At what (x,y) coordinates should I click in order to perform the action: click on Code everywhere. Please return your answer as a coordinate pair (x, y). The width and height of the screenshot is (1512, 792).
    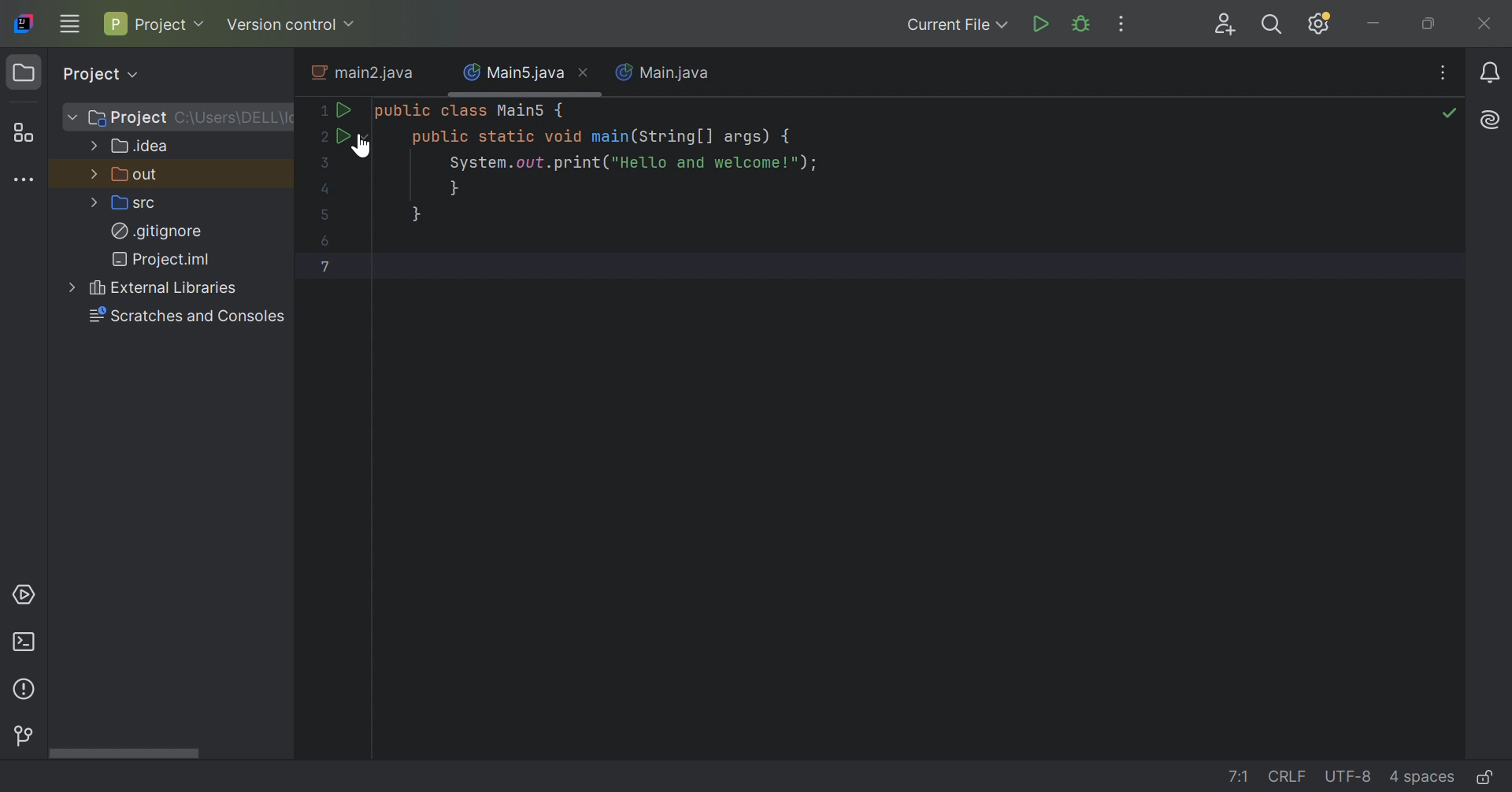
    Looking at the image, I should click on (1447, 69).